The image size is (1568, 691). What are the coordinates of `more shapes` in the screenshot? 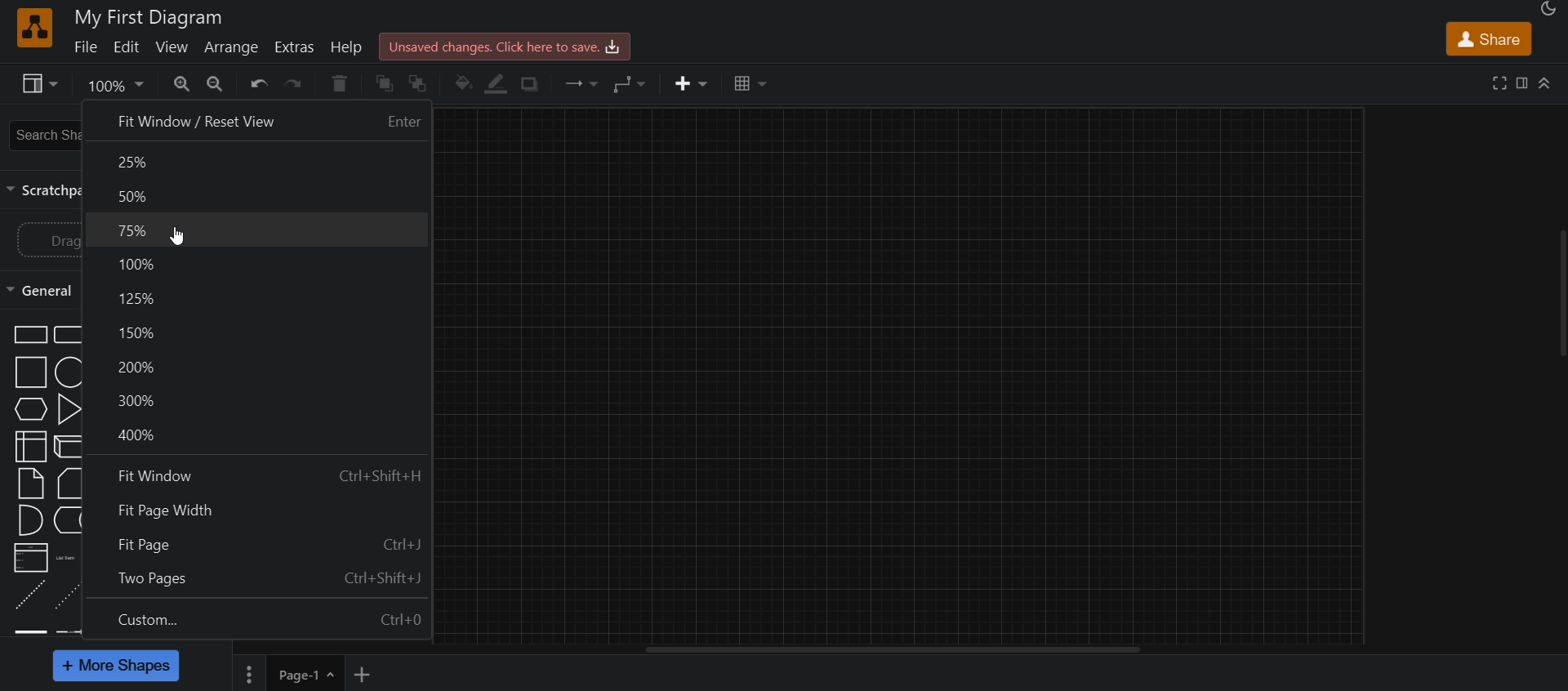 It's located at (117, 666).